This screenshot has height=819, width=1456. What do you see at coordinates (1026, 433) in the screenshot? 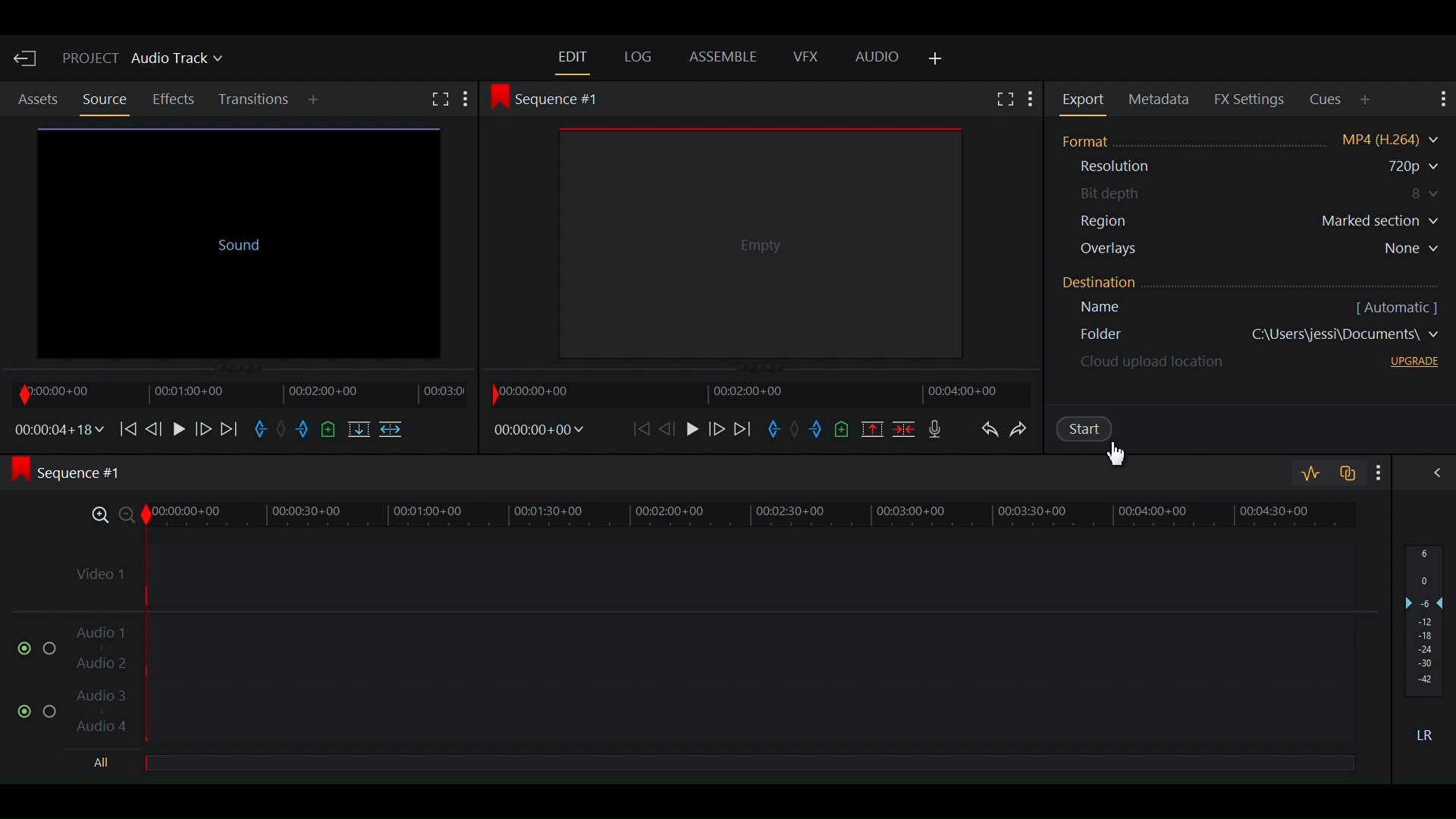
I see `Redo` at bounding box center [1026, 433].